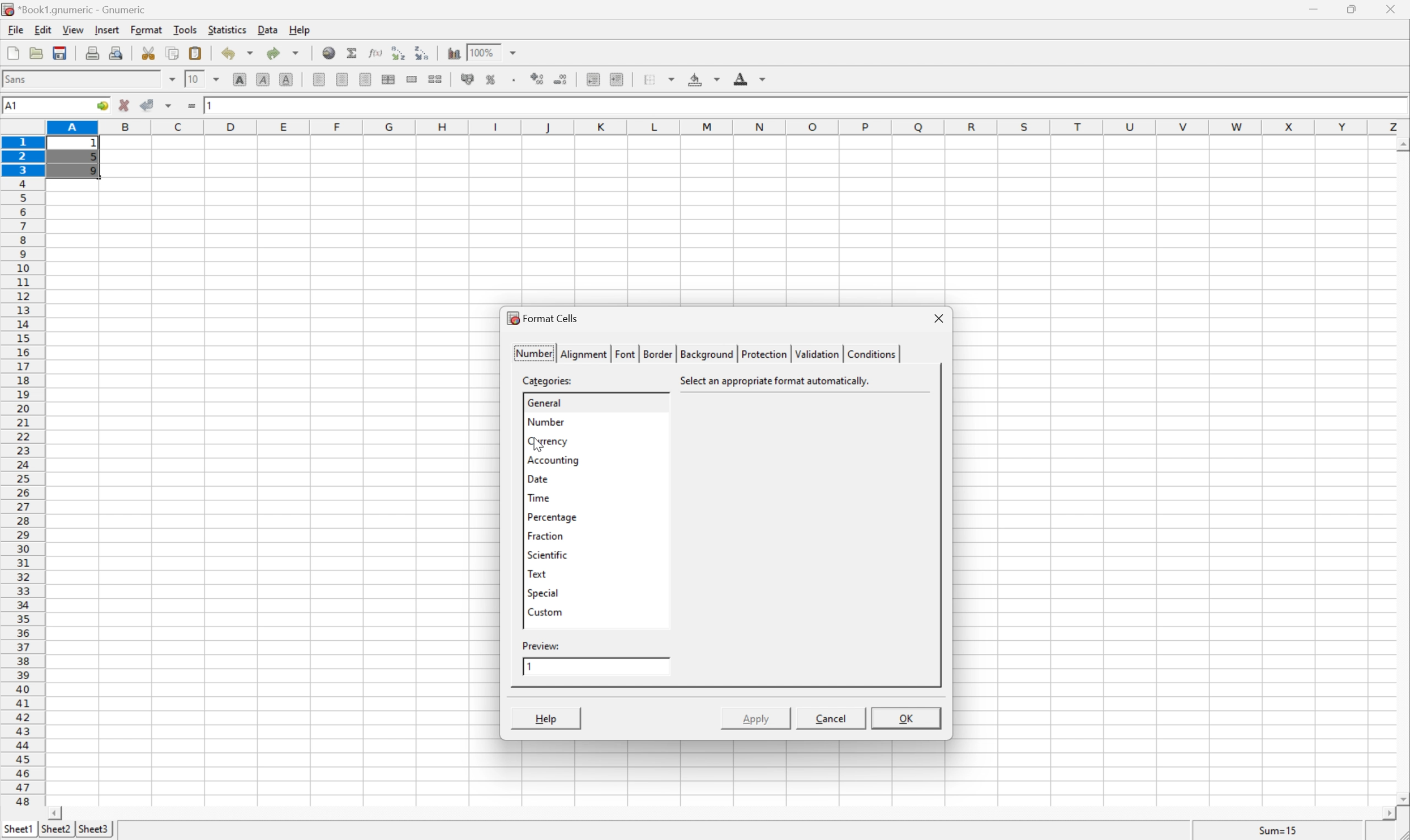 The width and height of the screenshot is (1410, 840). Describe the element at coordinates (584, 353) in the screenshot. I see `alignment` at that location.